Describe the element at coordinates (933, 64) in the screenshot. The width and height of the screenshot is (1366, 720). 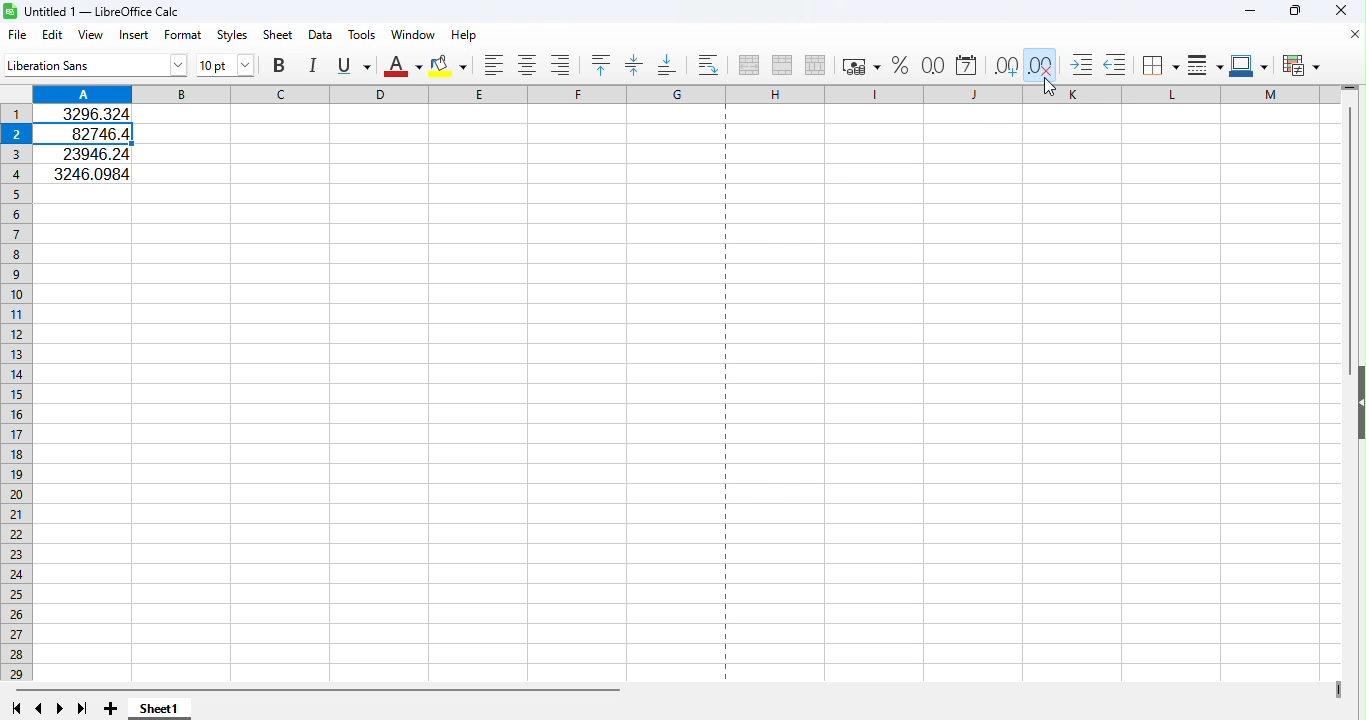
I see `Format as decimal` at that location.